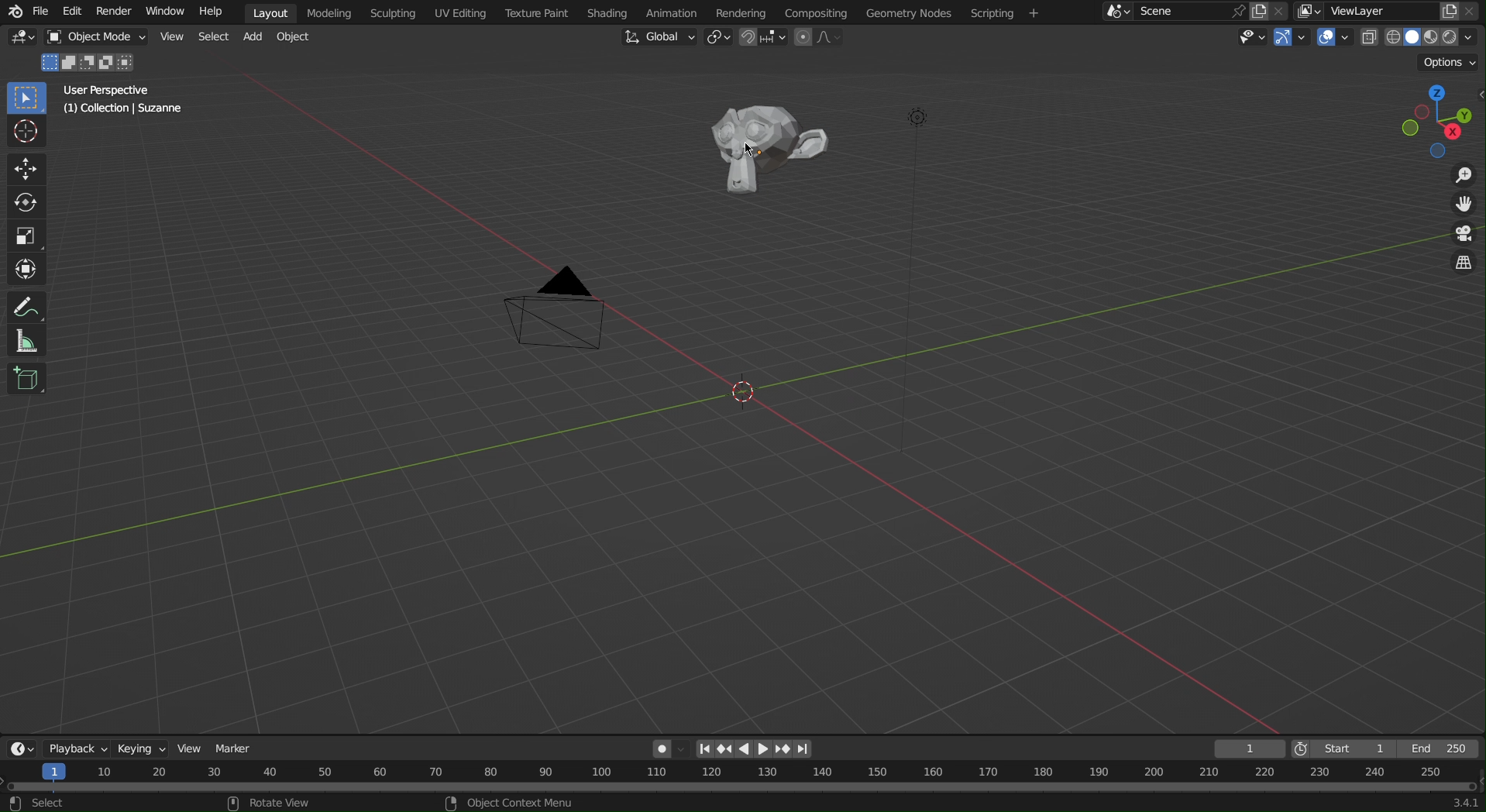 The width and height of the screenshot is (1486, 812). I want to click on Marker, so click(235, 749).